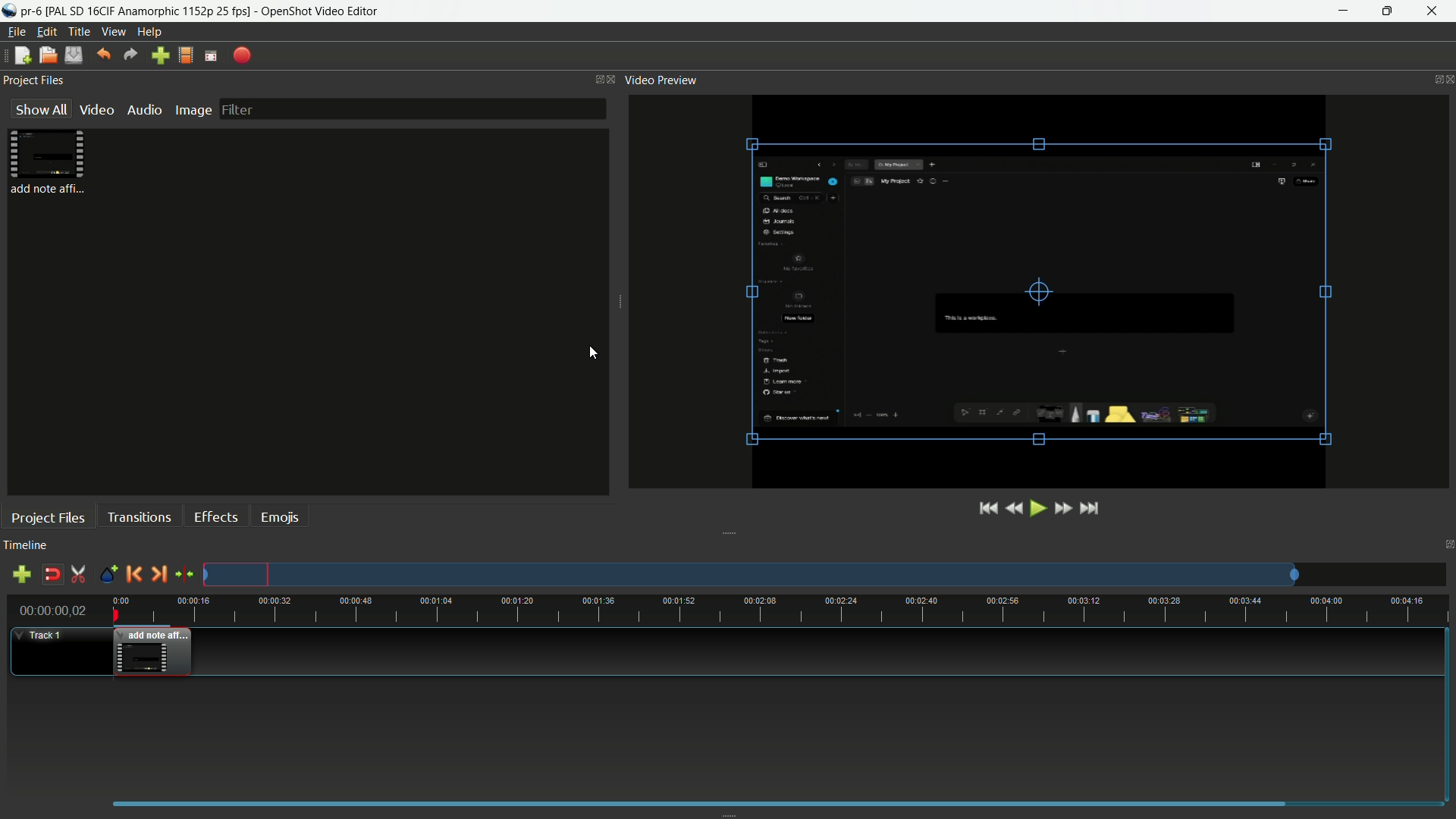 The image size is (1456, 819). I want to click on track preview, so click(752, 575).